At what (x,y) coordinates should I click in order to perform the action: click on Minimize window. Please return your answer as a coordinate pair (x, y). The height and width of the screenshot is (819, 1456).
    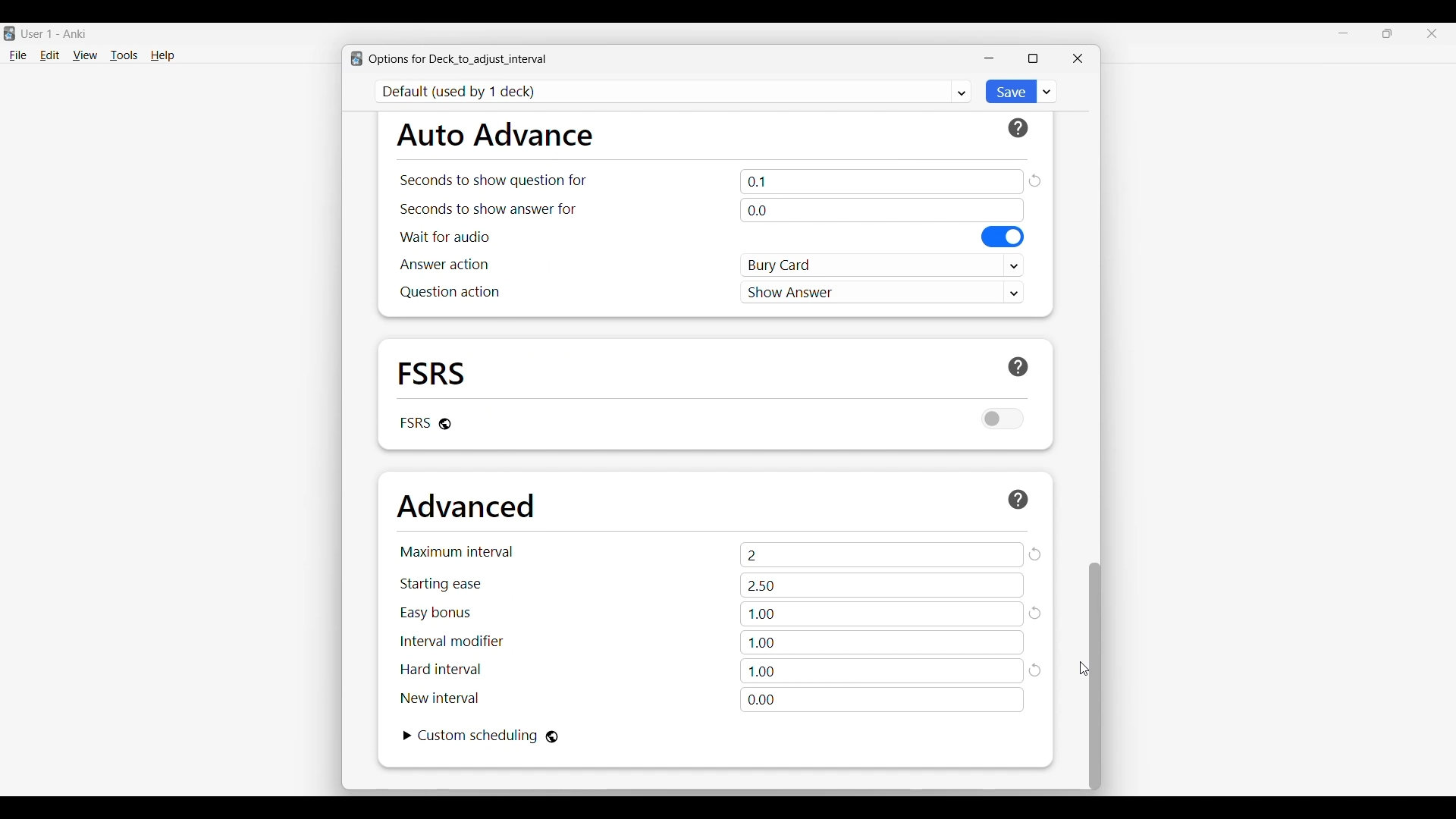
    Looking at the image, I should click on (989, 58).